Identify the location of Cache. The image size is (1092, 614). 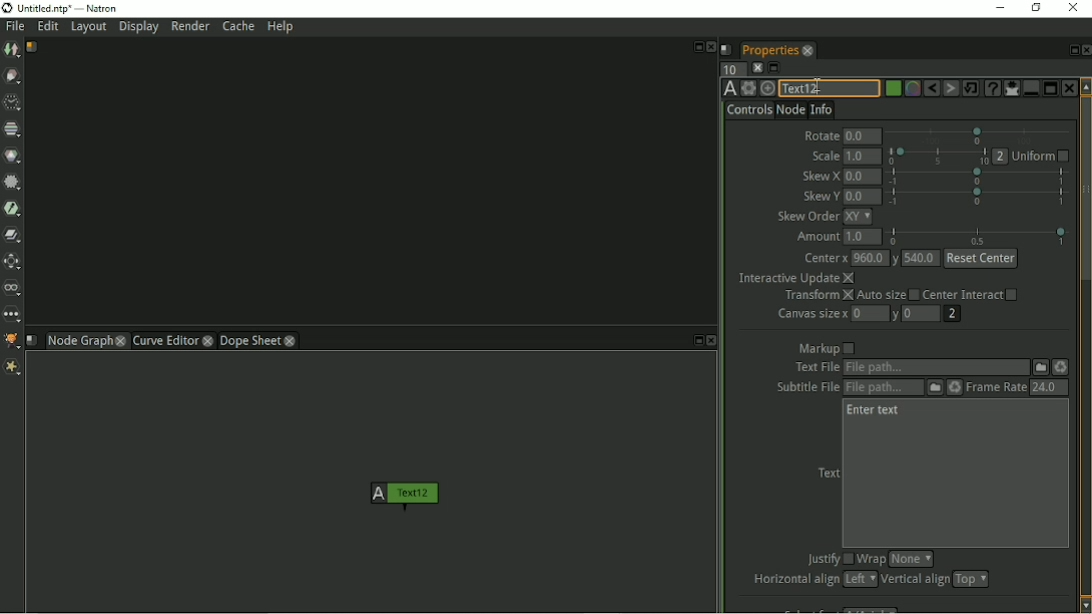
(238, 26).